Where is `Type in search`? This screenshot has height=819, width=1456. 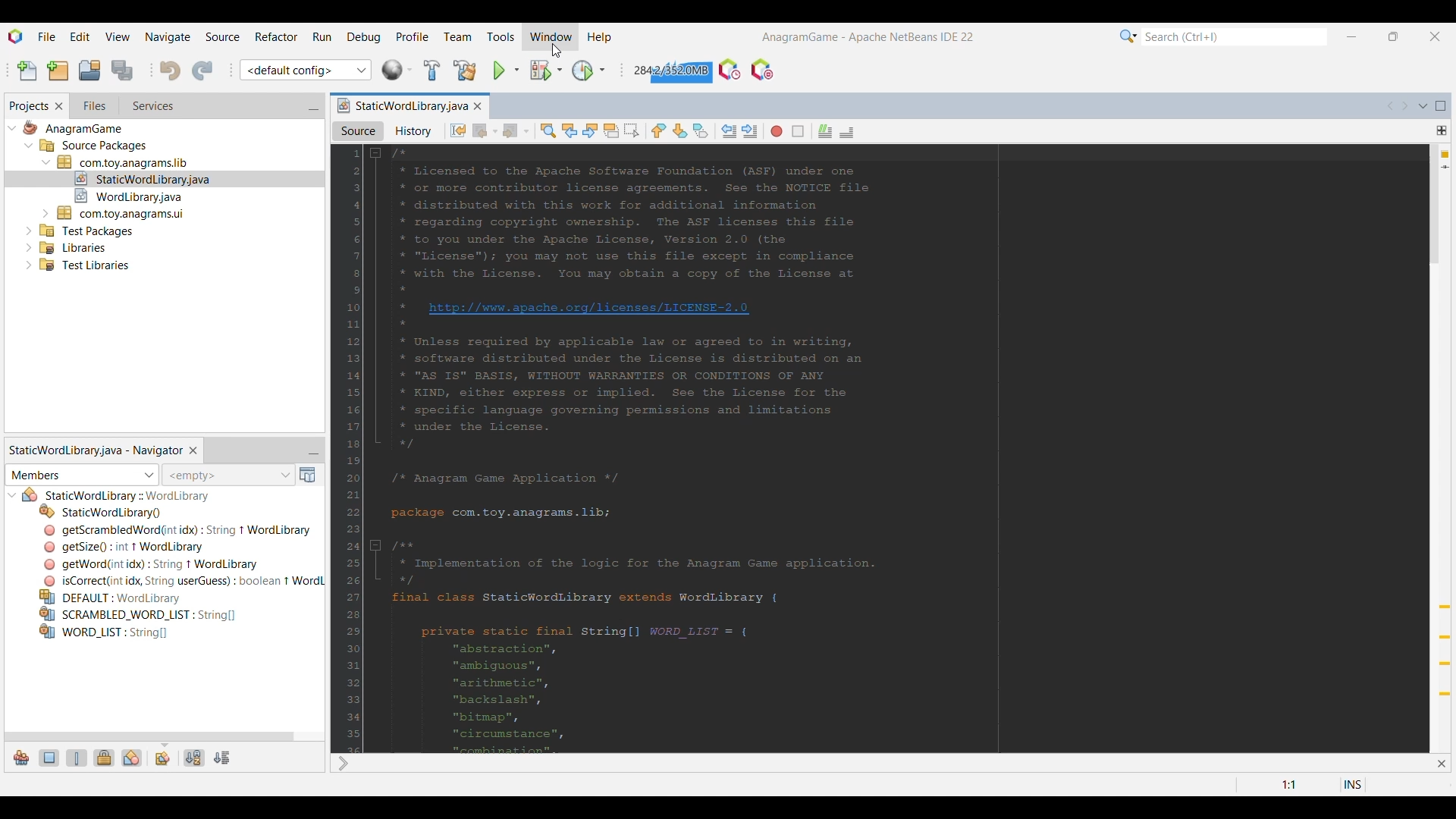
Type in search is located at coordinates (1234, 36).